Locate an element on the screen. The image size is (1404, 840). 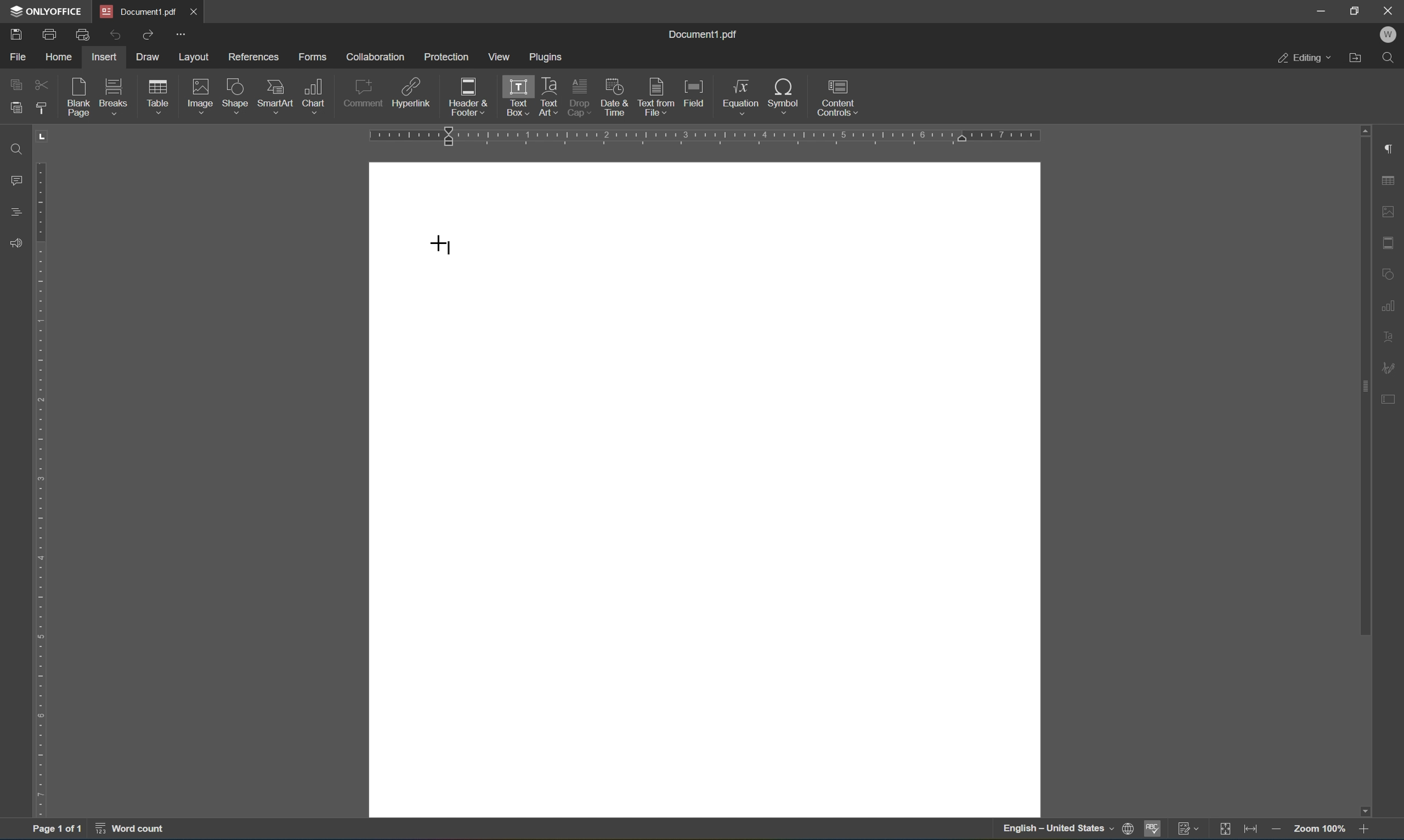
Paragraph settings is located at coordinates (1392, 147).